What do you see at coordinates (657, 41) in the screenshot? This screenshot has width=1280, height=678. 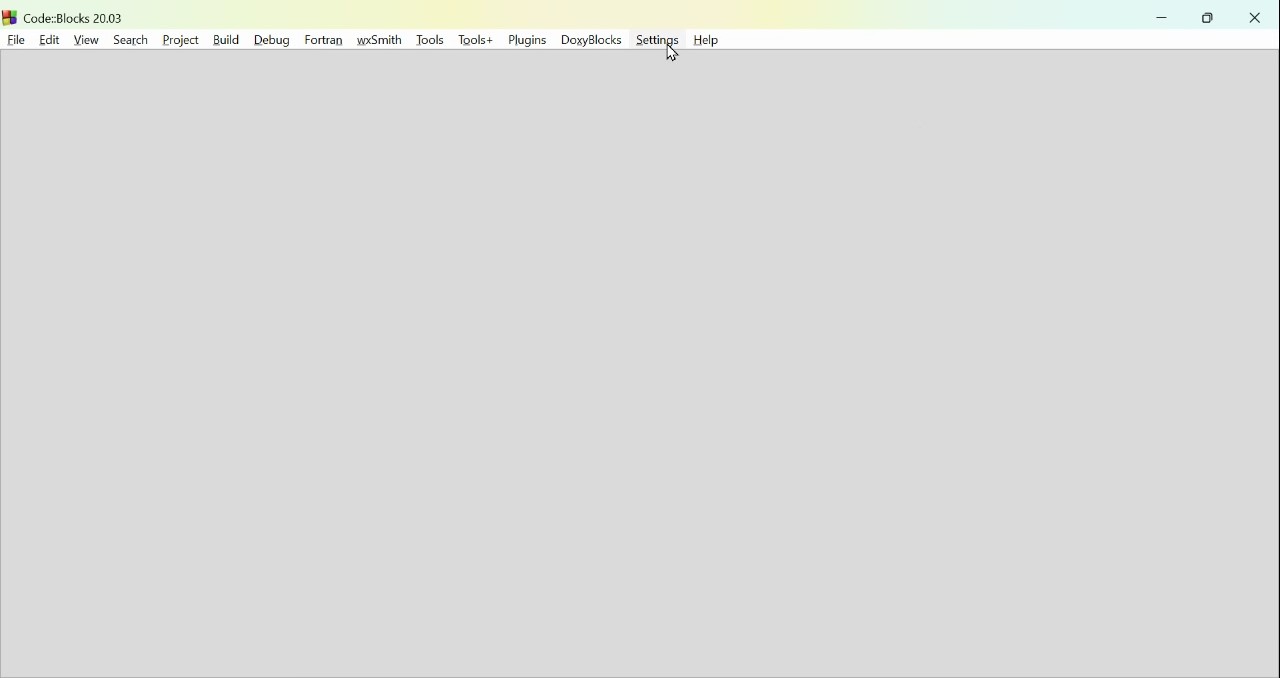 I see `Settings` at bounding box center [657, 41].